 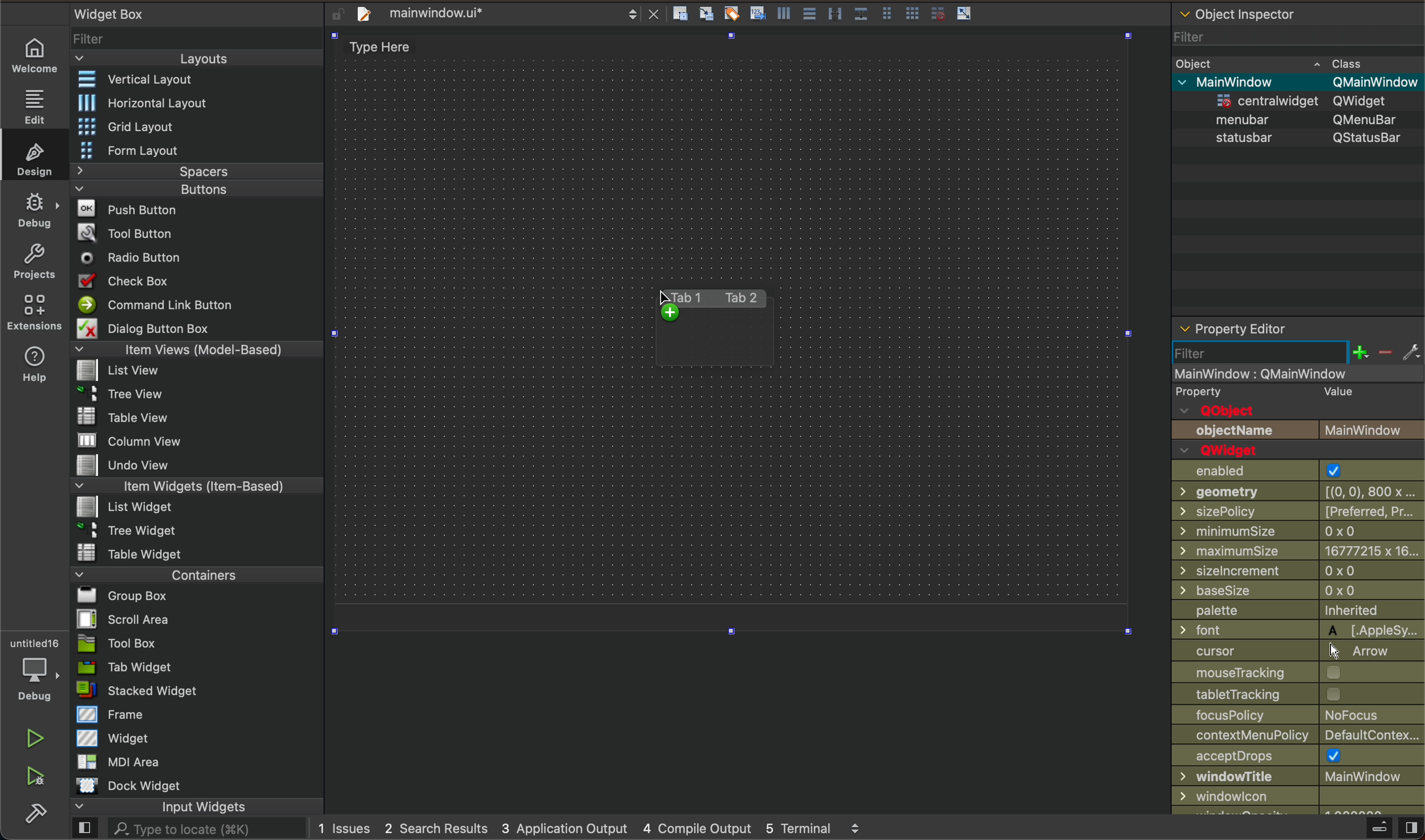 What do you see at coordinates (125, 235) in the screenshot?
I see `Tool Button` at bounding box center [125, 235].